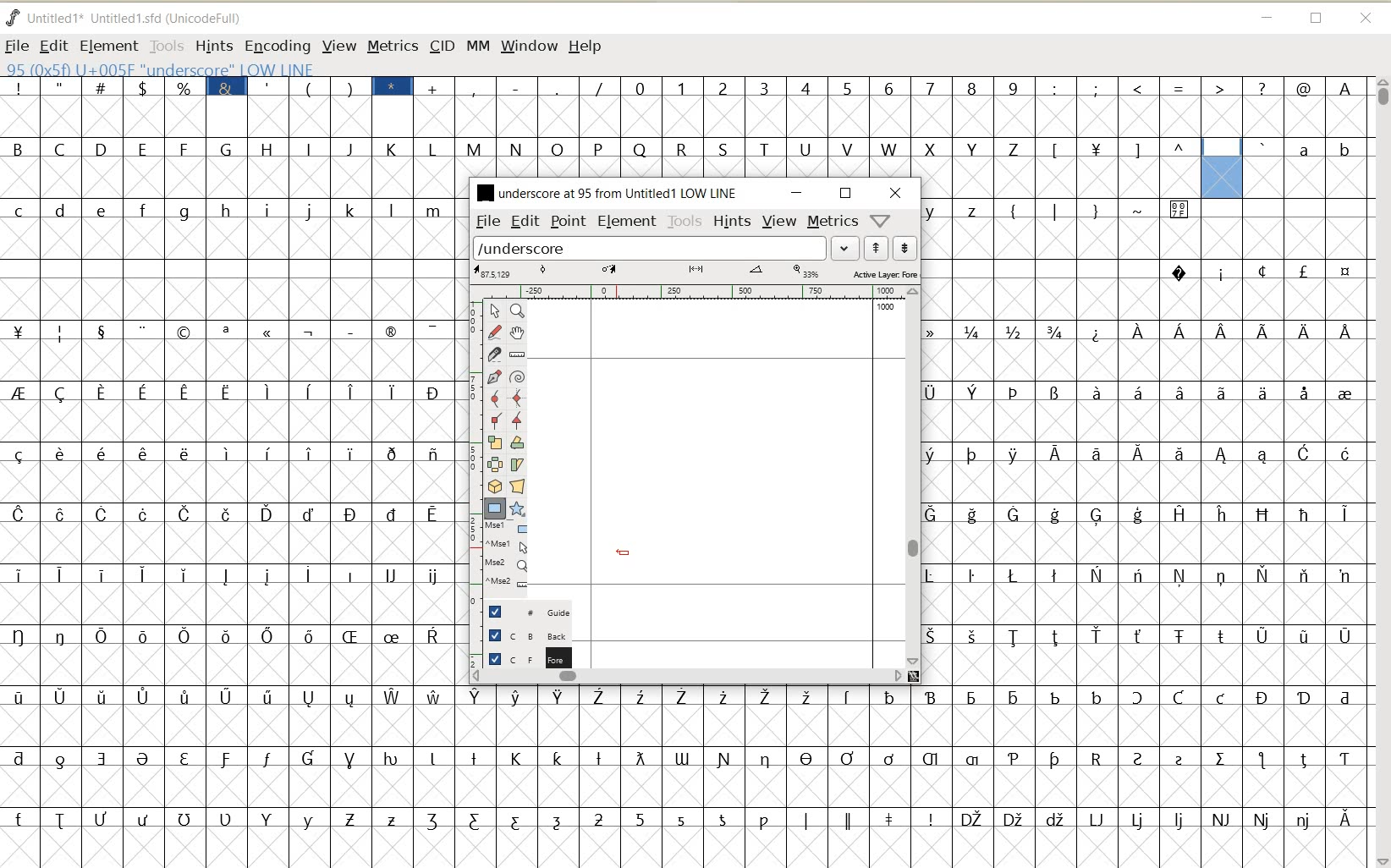 The height and width of the screenshot is (868, 1391). Describe the element at coordinates (108, 47) in the screenshot. I see `ELEMENT` at that location.